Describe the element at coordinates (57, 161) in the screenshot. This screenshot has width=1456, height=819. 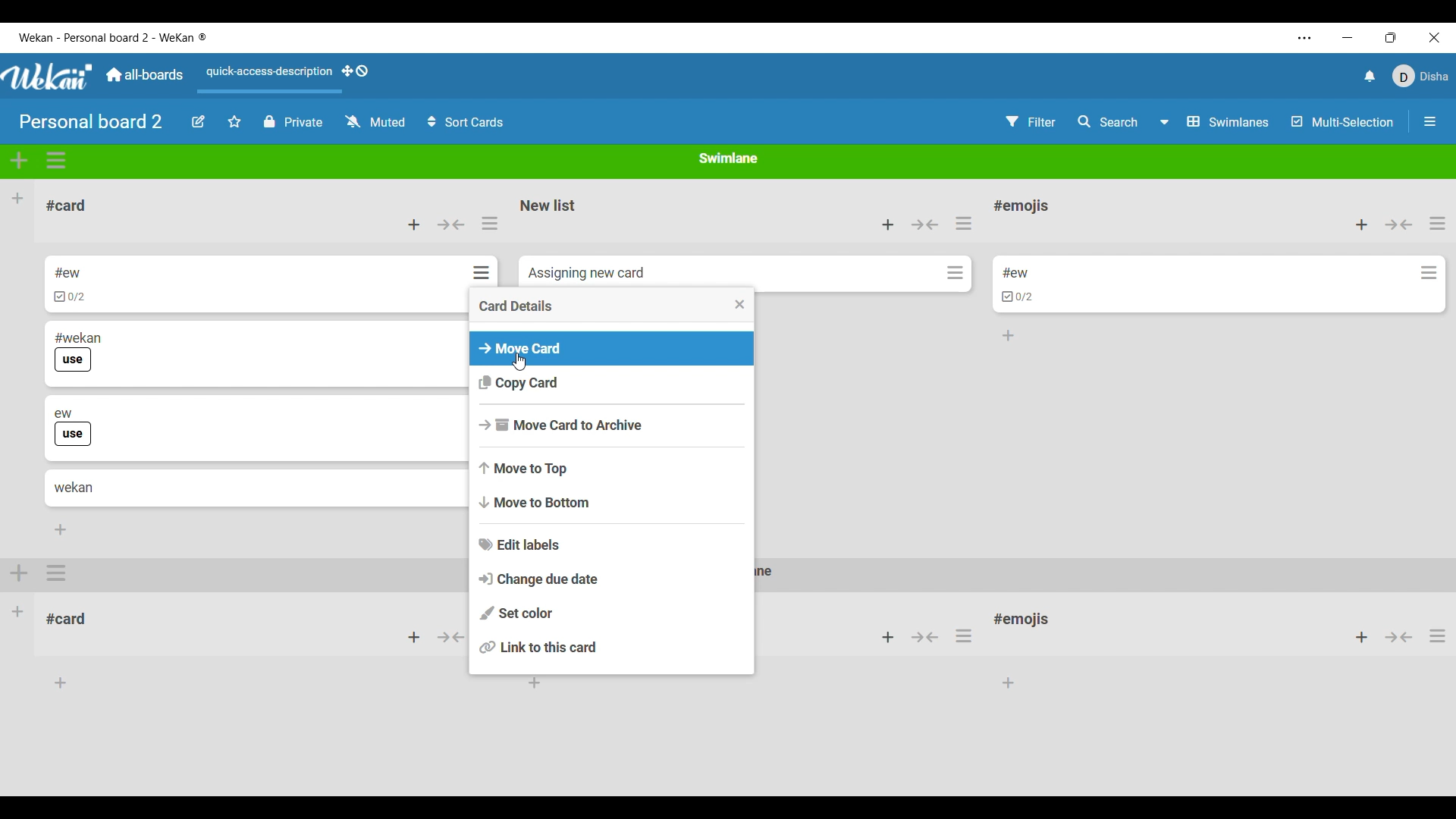
I see `Swimlane actions` at that location.